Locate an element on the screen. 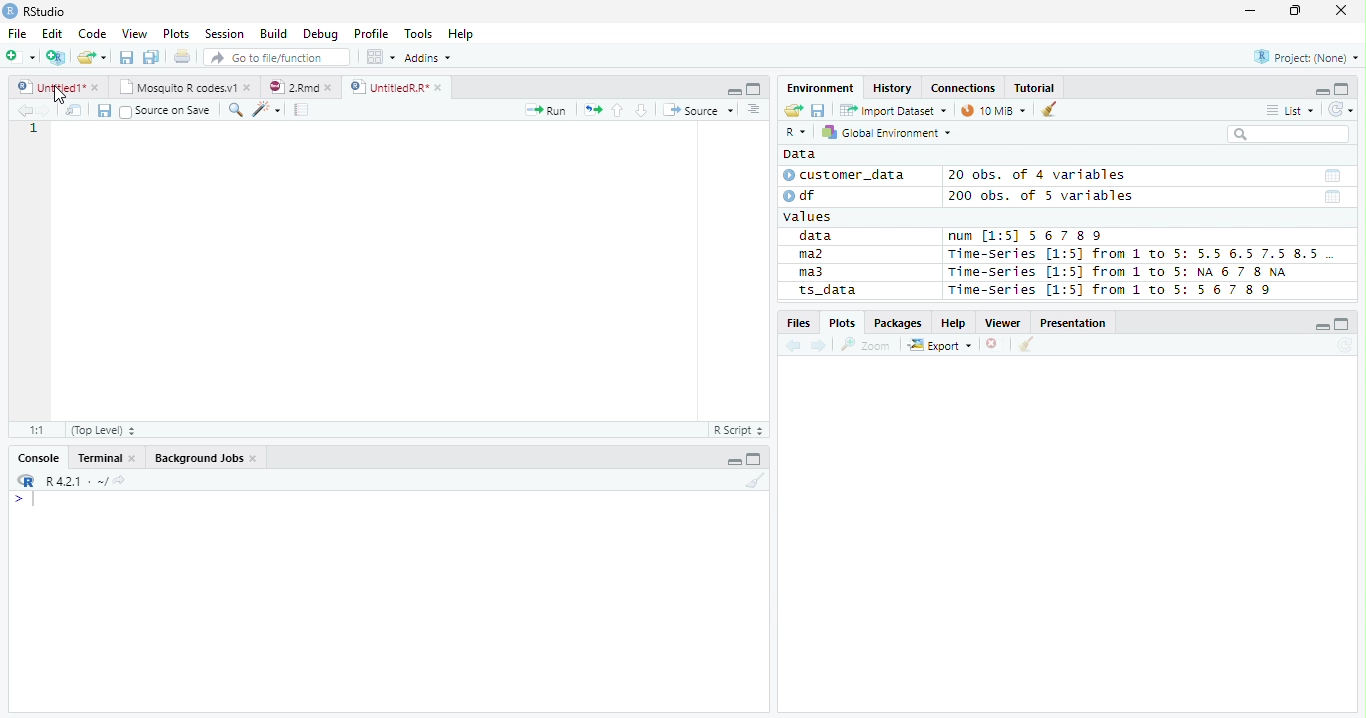 The height and width of the screenshot is (718, 1366). Session is located at coordinates (223, 33).